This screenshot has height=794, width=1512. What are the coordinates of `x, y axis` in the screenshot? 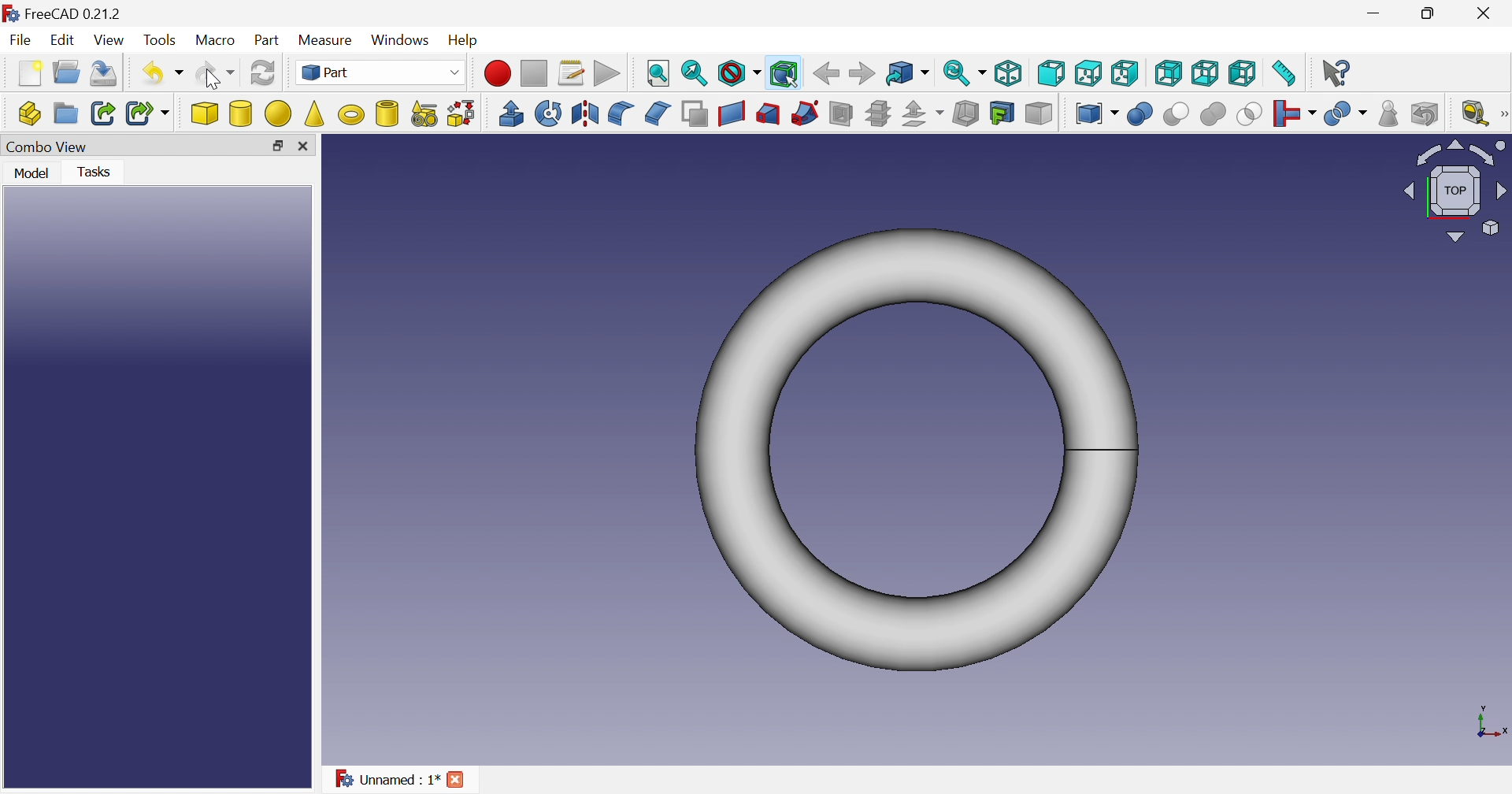 It's located at (1490, 720).